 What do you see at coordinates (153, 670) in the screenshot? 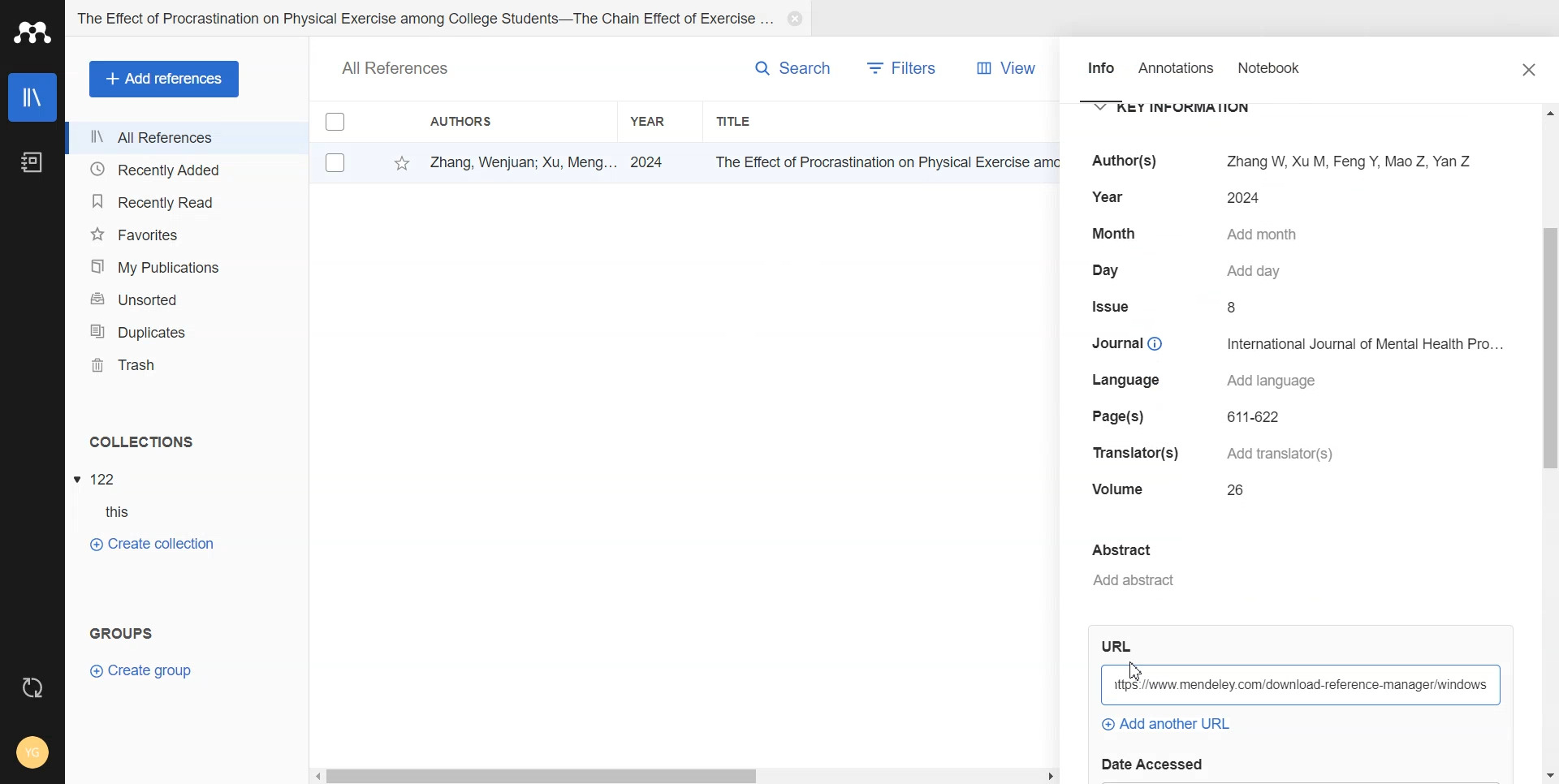
I see `Create Group` at bounding box center [153, 670].